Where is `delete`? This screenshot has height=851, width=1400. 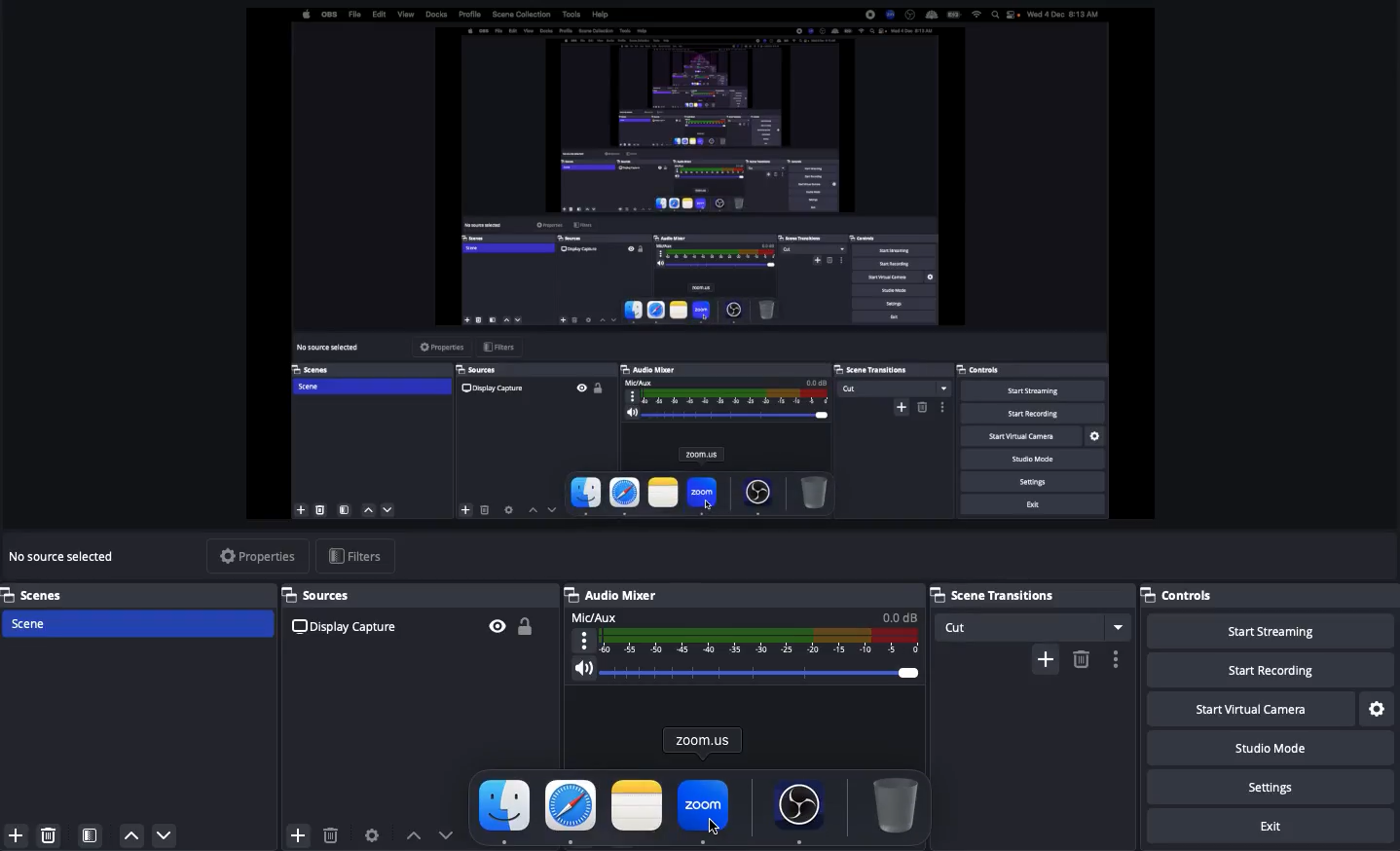 delete is located at coordinates (332, 833).